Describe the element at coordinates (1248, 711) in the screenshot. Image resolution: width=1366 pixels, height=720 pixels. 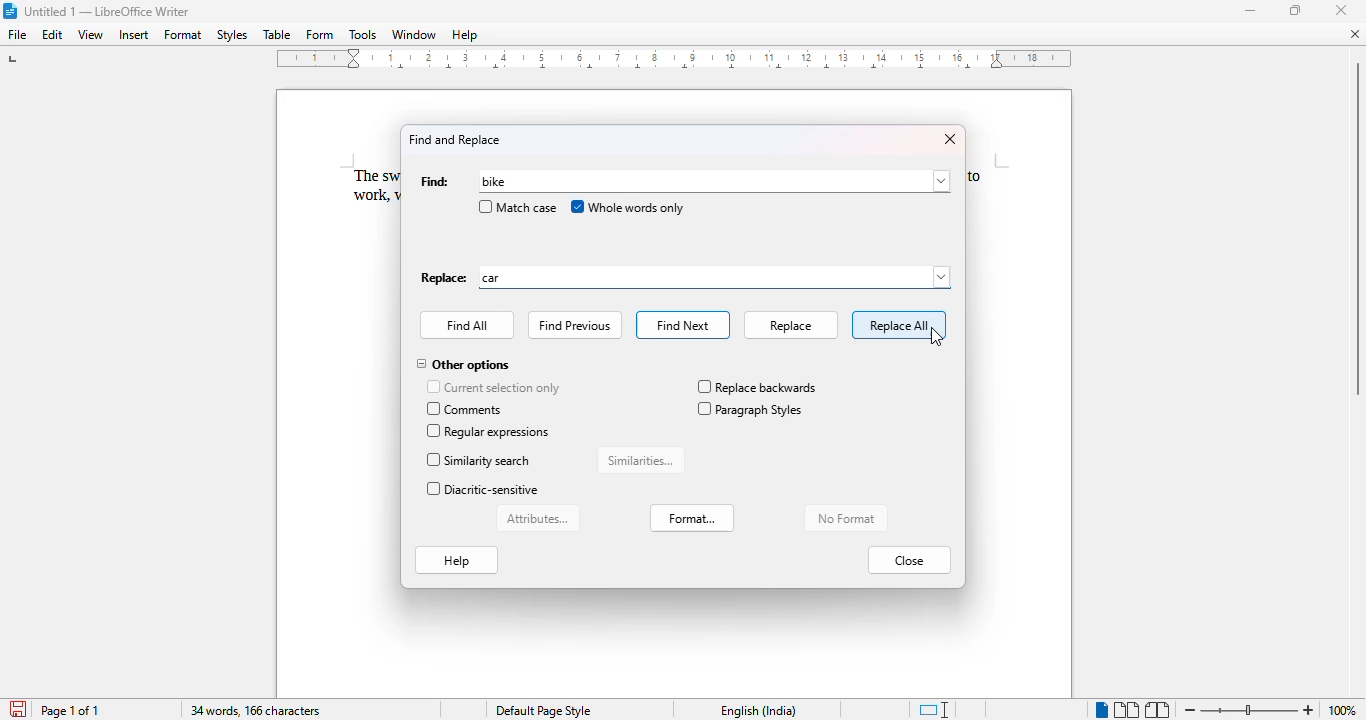
I see `Change zoom levele` at that location.